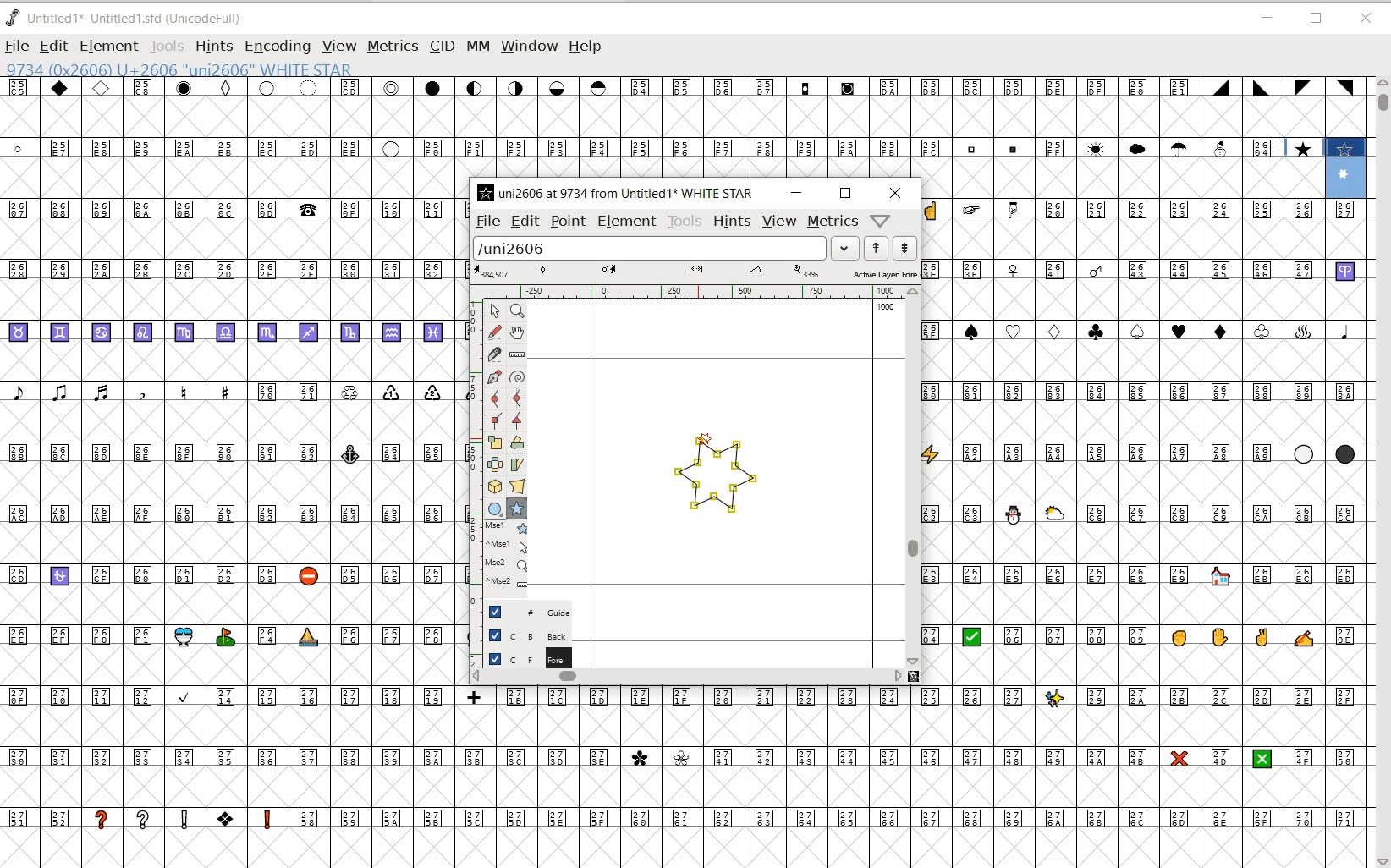  What do you see at coordinates (833, 222) in the screenshot?
I see `metrics` at bounding box center [833, 222].